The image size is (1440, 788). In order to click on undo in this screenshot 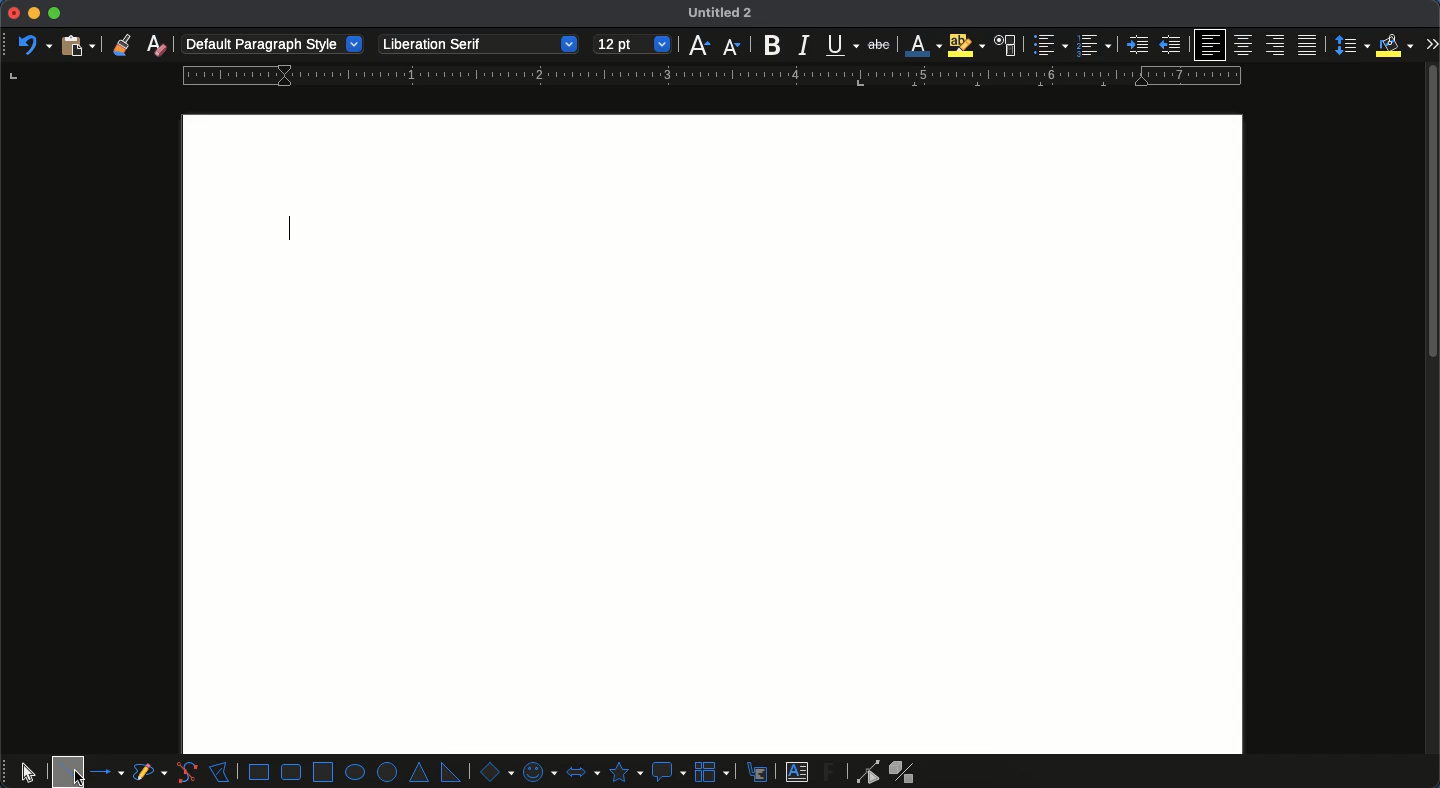, I will do `click(33, 43)`.